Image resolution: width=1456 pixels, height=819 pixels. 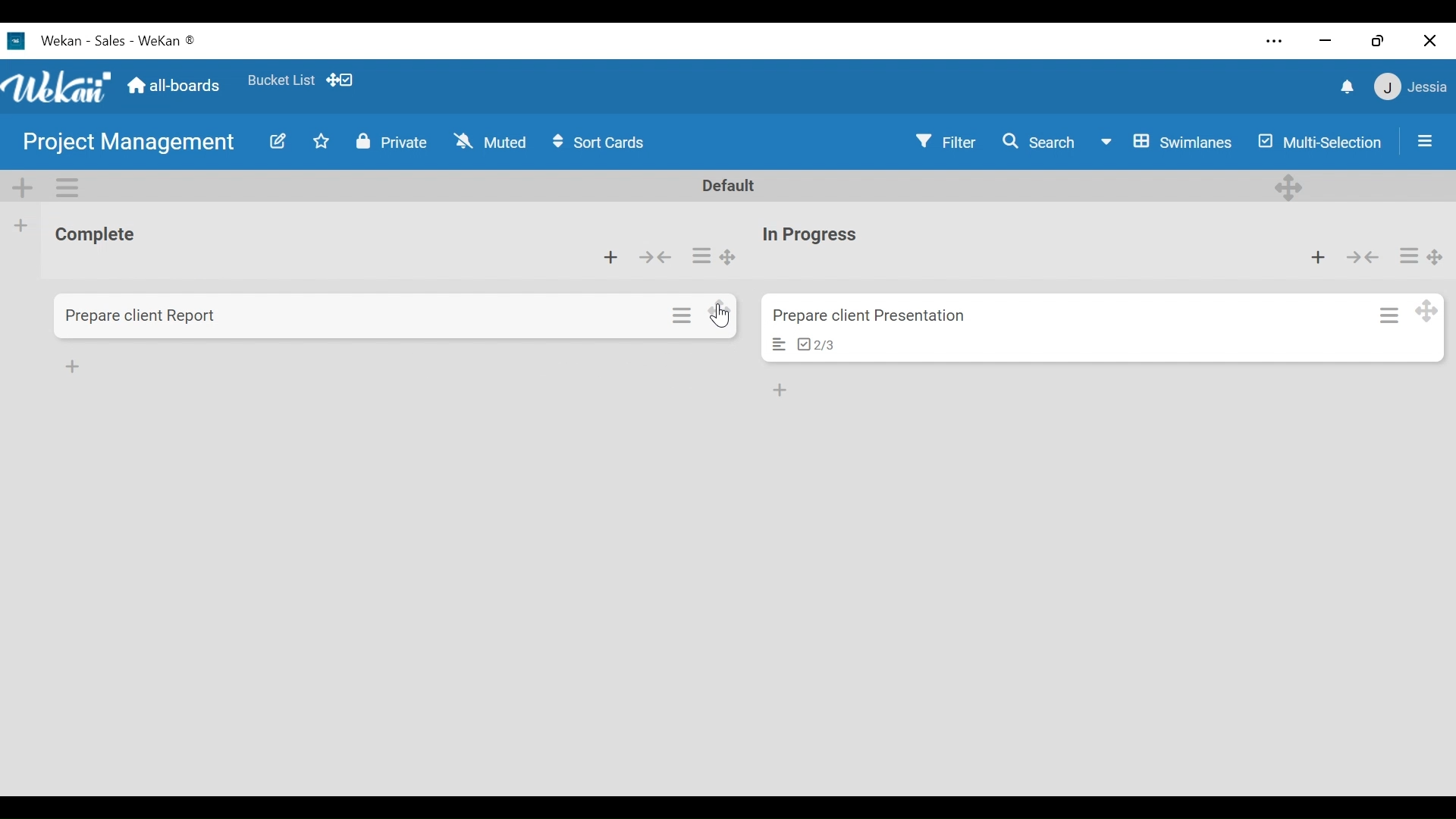 What do you see at coordinates (486, 140) in the screenshot?
I see `Muted` at bounding box center [486, 140].